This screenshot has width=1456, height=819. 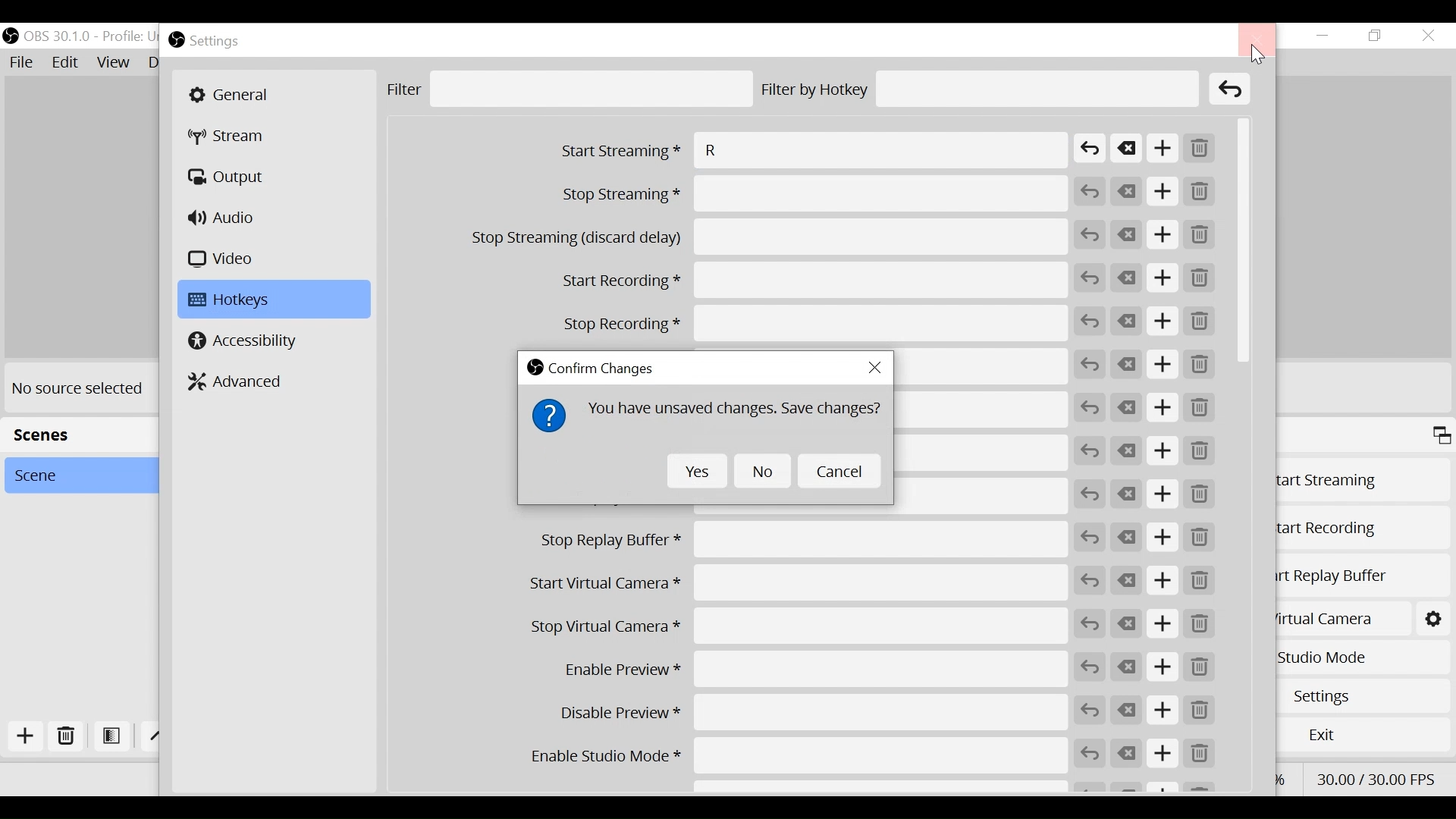 What do you see at coordinates (1376, 36) in the screenshot?
I see `Restore` at bounding box center [1376, 36].